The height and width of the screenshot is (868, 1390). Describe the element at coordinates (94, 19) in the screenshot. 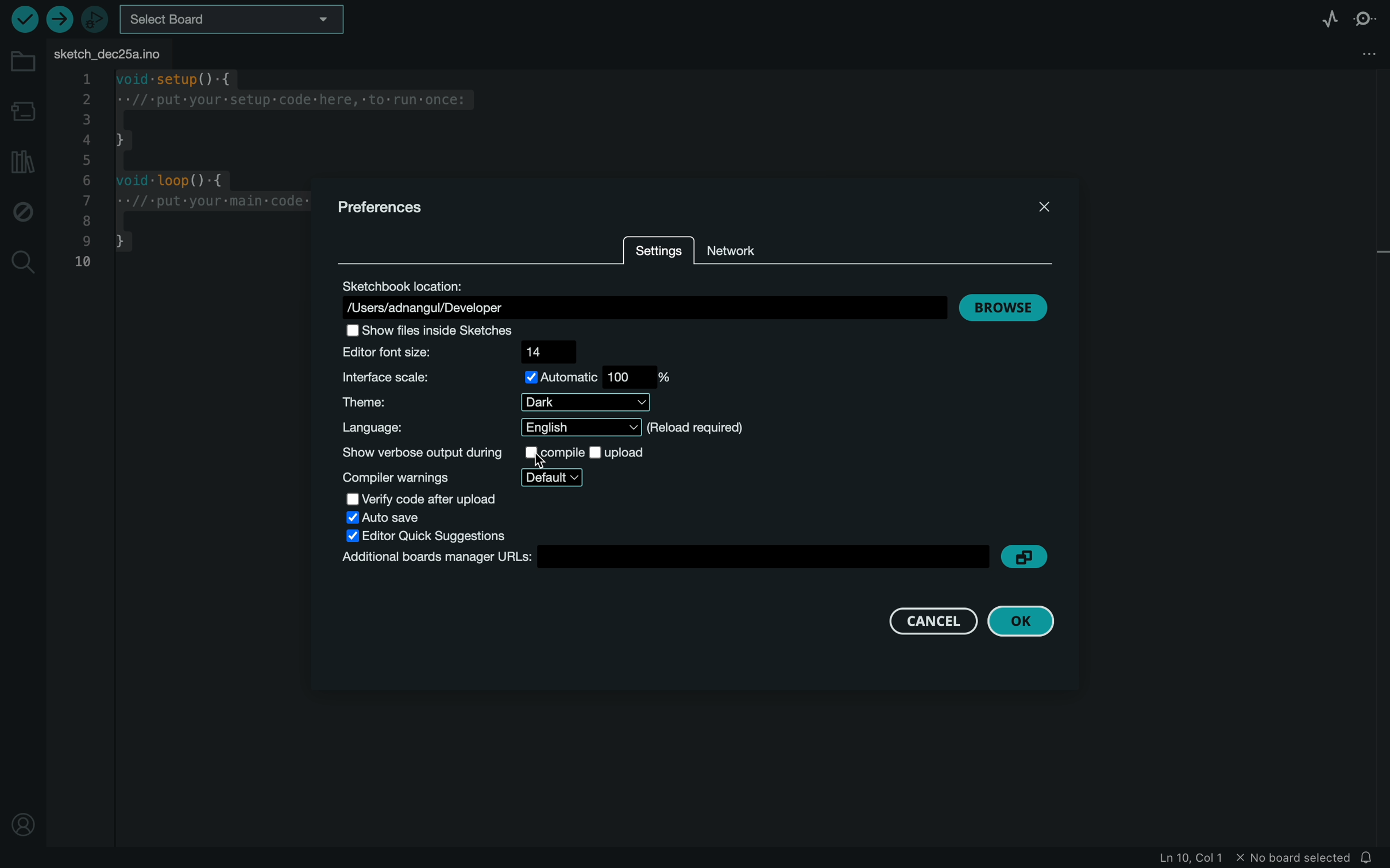

I see `debugger` at that location.